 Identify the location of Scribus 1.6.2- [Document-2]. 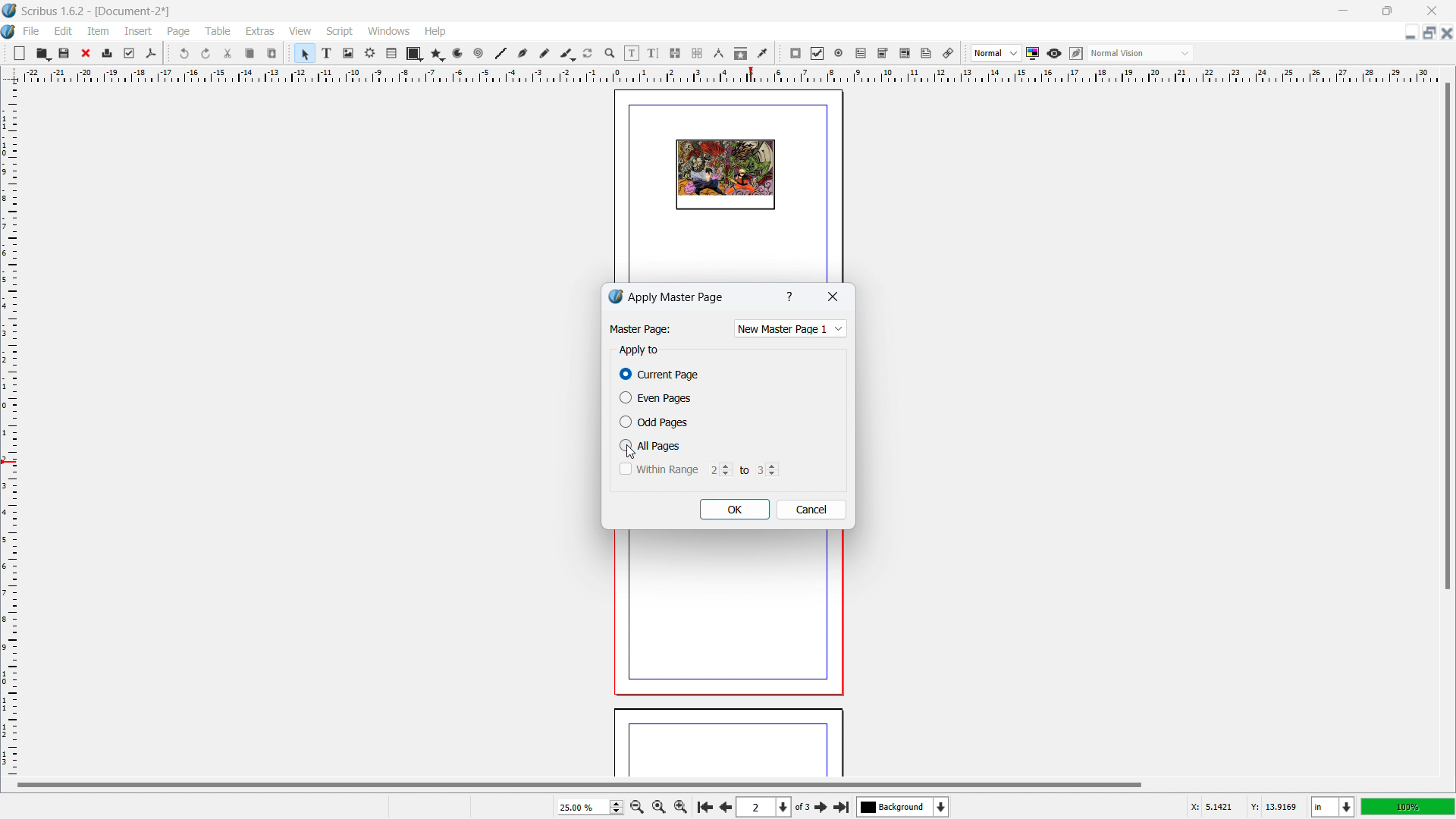
(98, 11).